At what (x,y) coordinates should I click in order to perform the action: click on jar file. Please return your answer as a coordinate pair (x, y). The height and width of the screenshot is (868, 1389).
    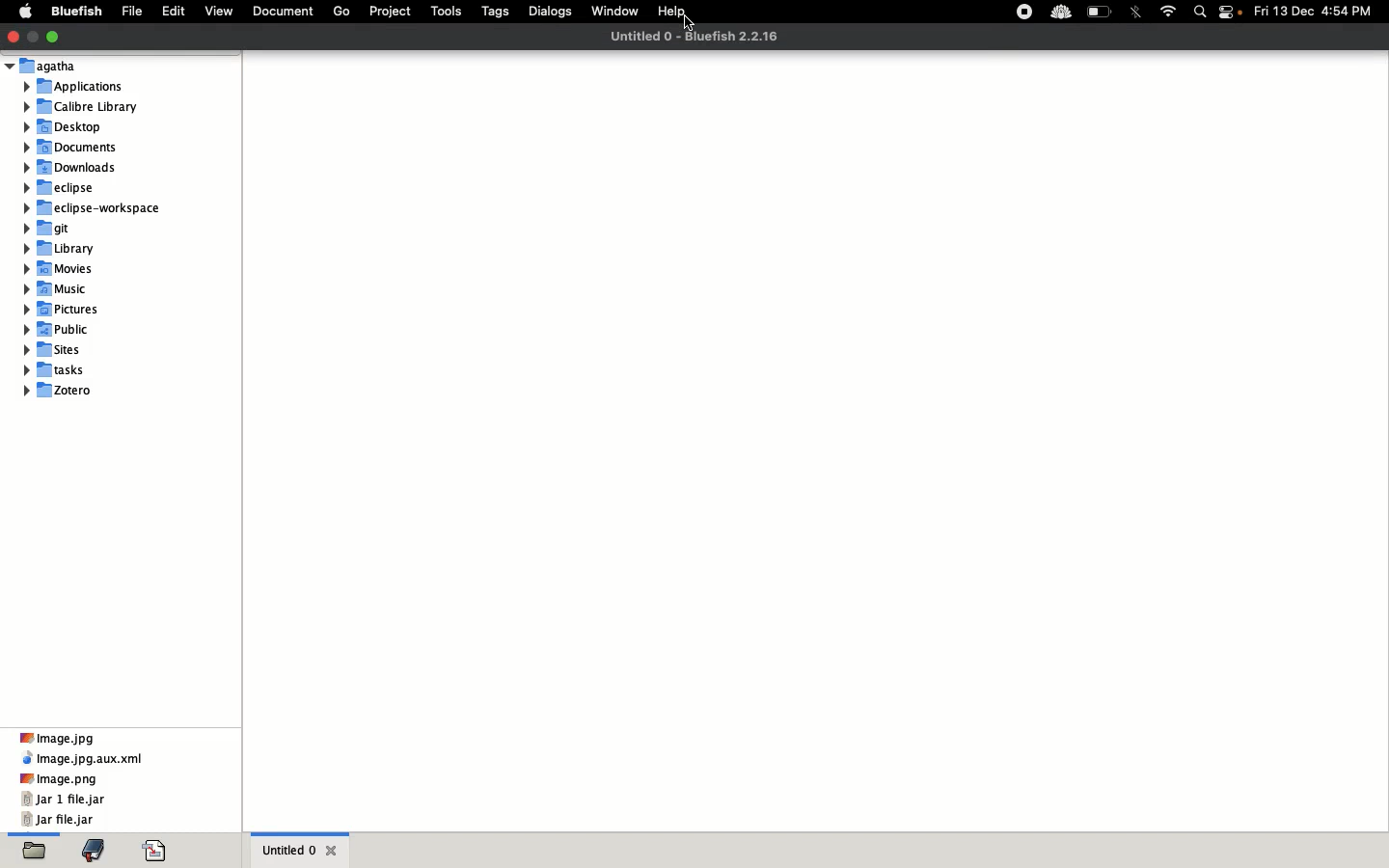
    Looking at the image, I should click on (60, 820).